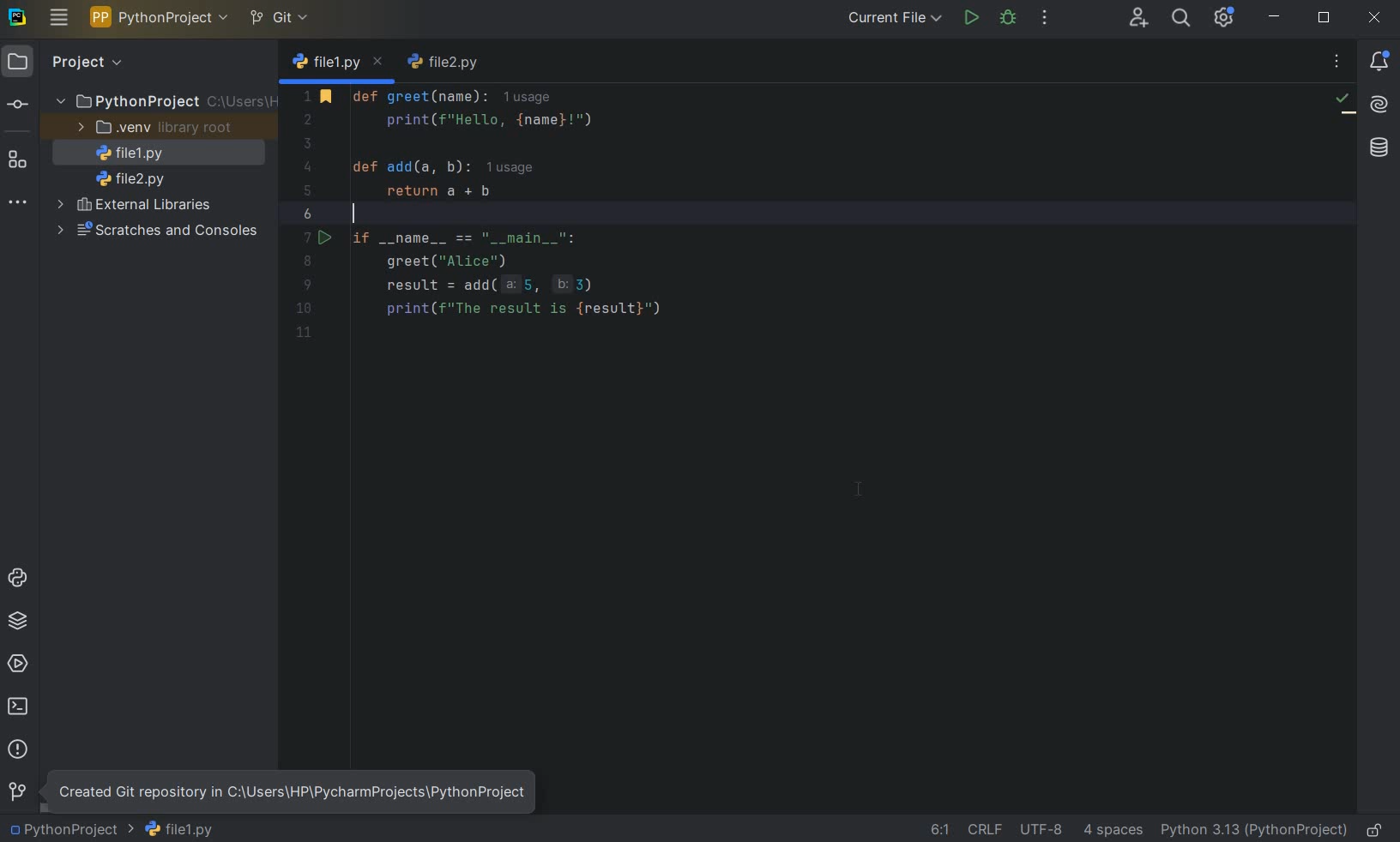 This screenshot has height=842, width=1400. What do you see at coordinates (1325, 18) in the screenshot?
I see `restore down` at bounding box center [1325, 18].